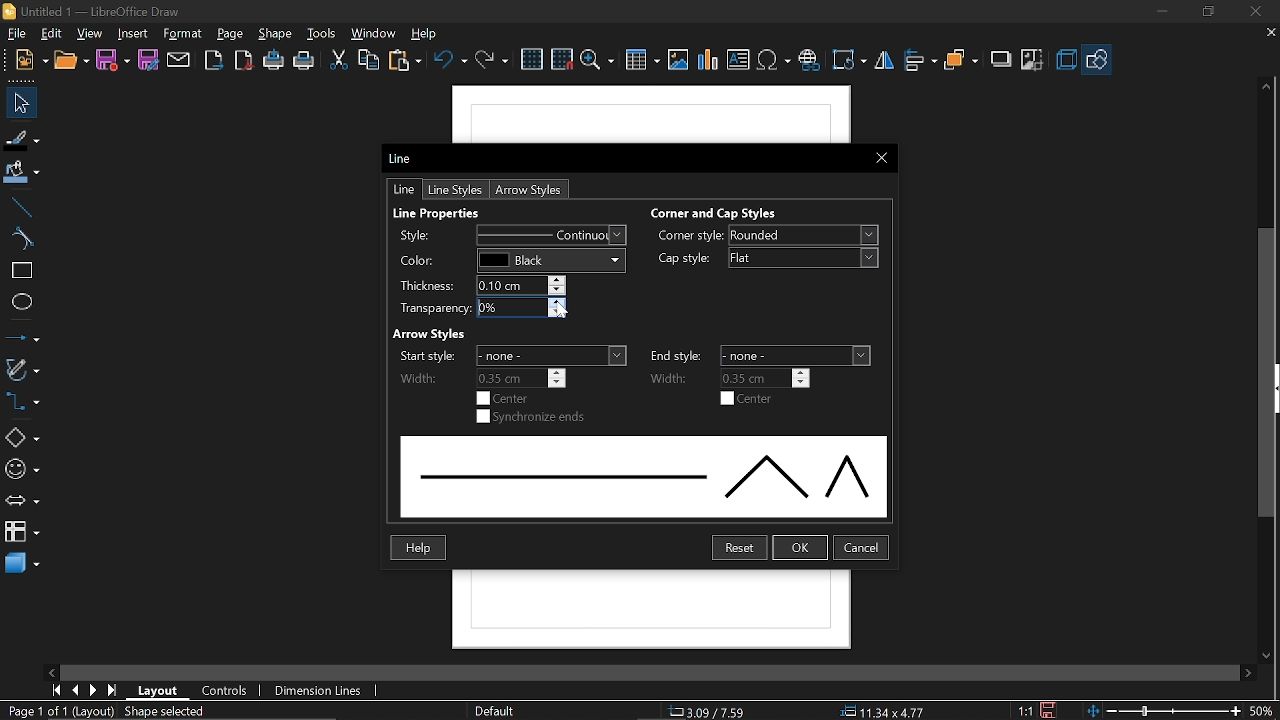  I want to click on cursor, so click(566, 313).